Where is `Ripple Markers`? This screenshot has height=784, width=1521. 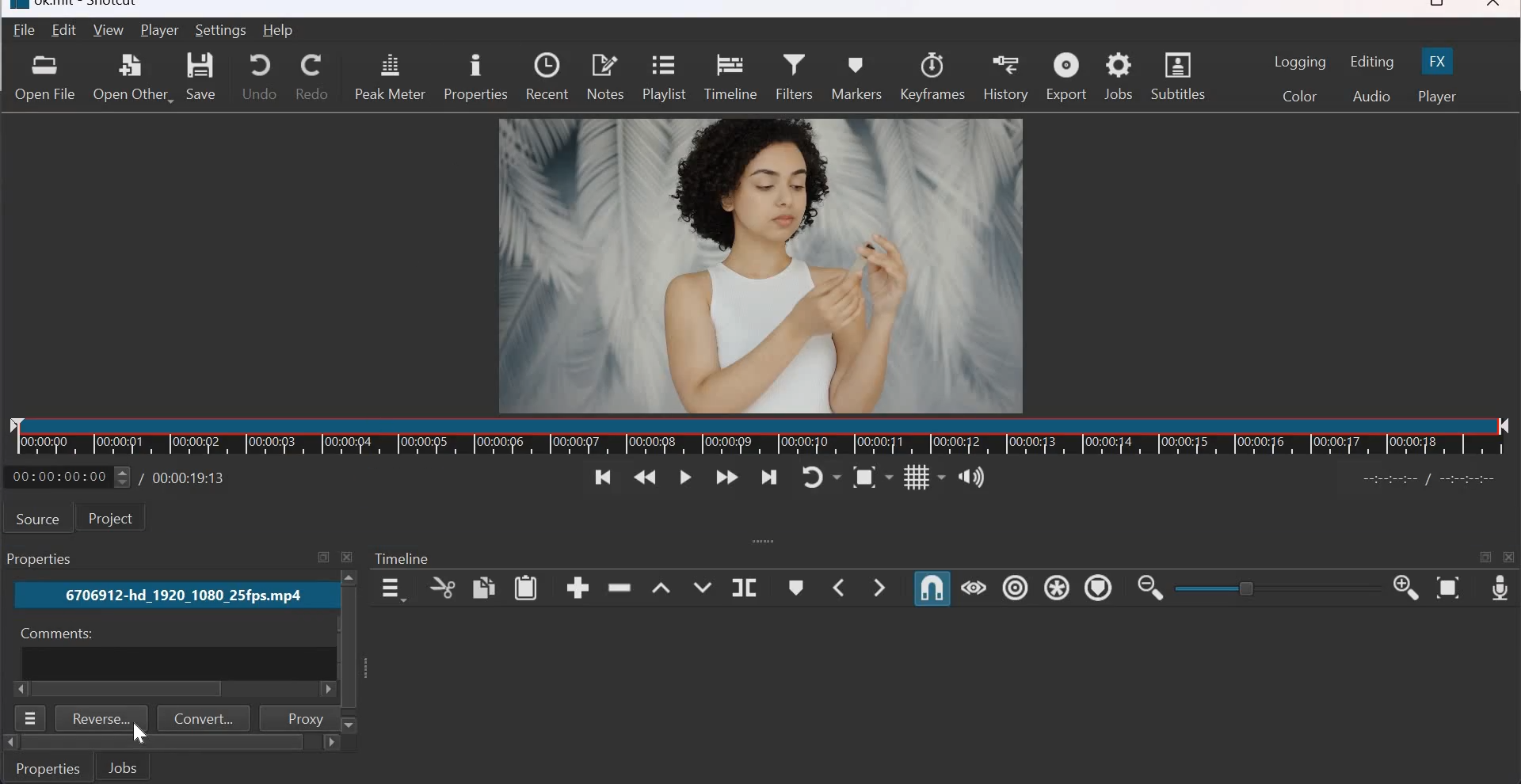 Ripple Markers is located at coordinates (1097, 587).